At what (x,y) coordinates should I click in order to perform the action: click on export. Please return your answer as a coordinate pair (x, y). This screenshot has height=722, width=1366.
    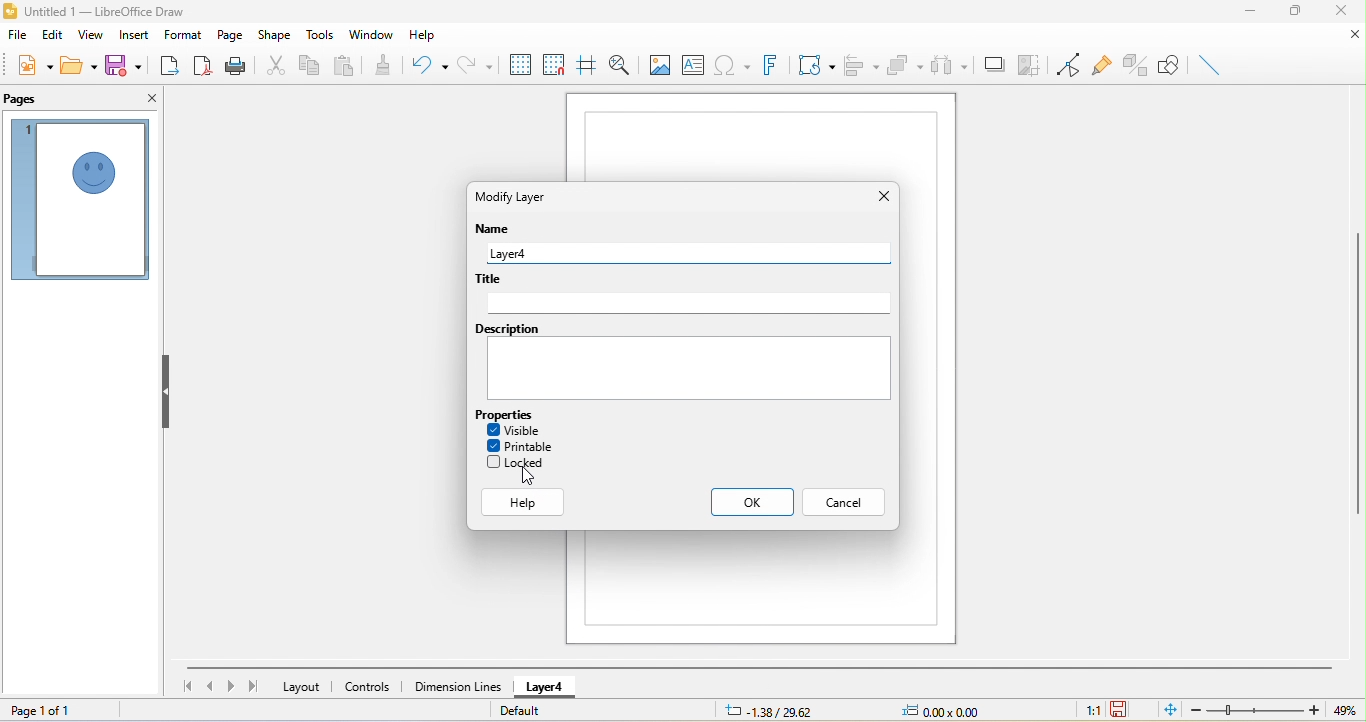
    Looking at the image, I should click on (167, 63).